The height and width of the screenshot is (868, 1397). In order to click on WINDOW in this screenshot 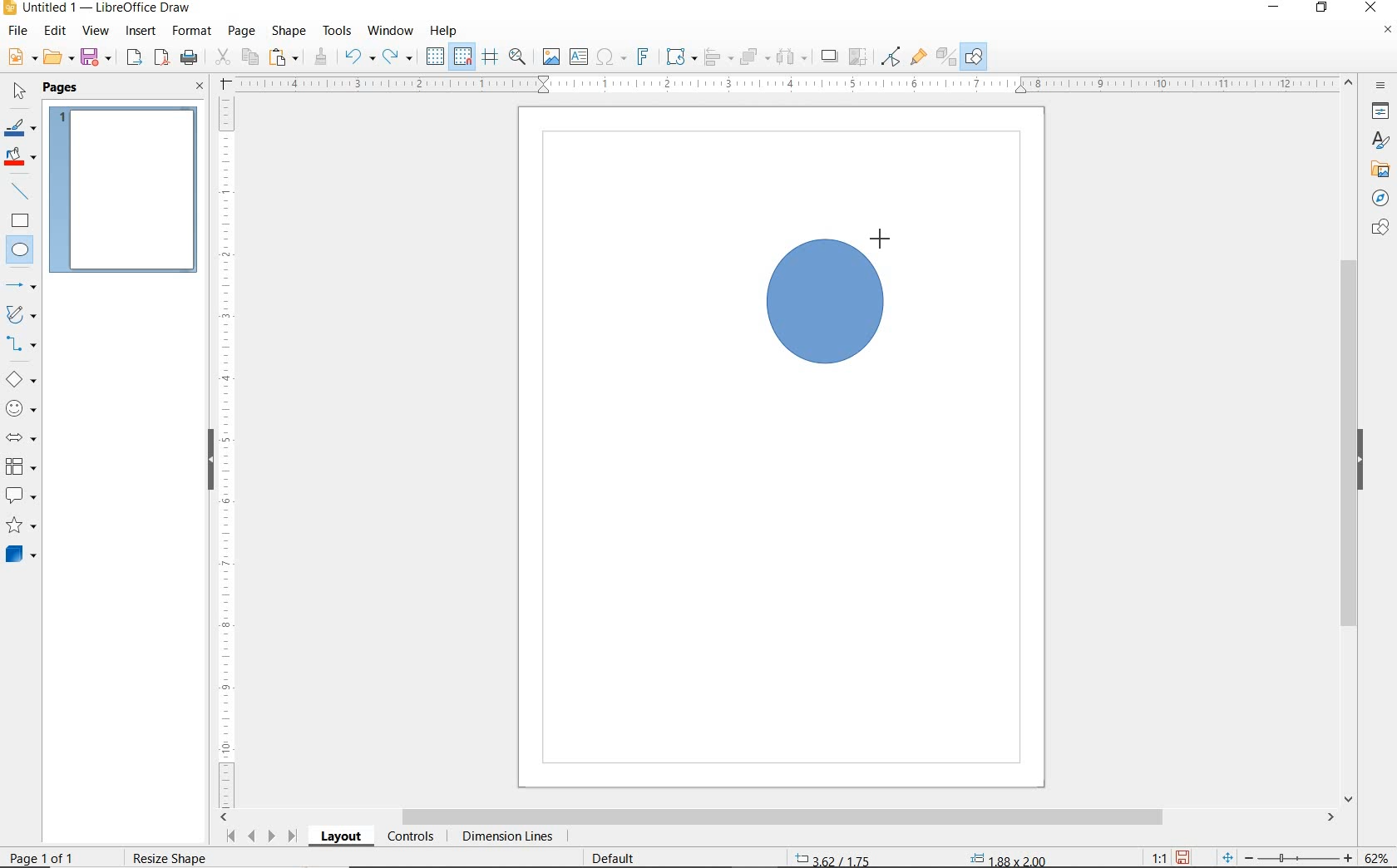, I will do `click(390, 31)`.